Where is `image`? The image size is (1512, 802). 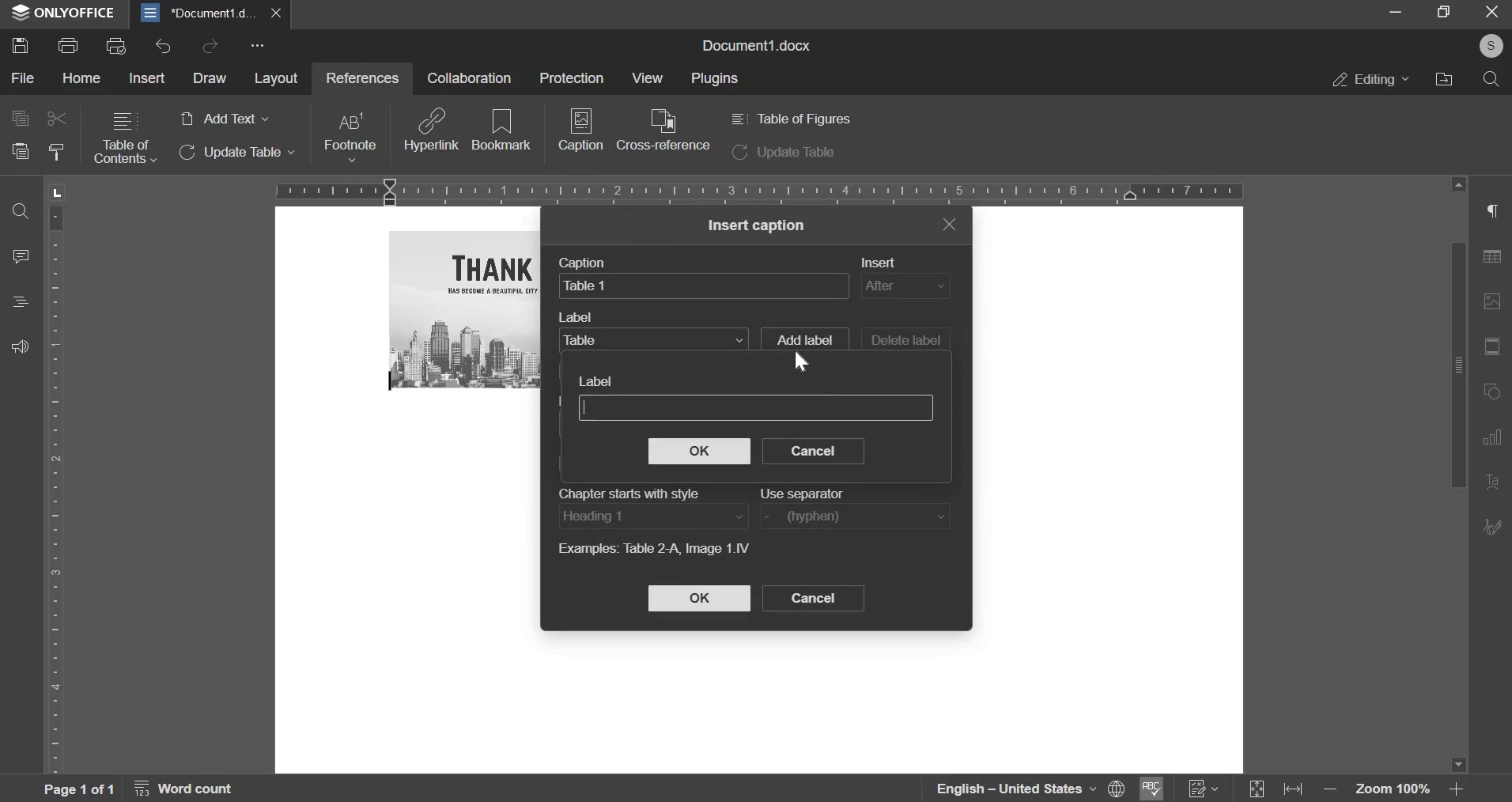
image is located at coordinates (1495, 301).